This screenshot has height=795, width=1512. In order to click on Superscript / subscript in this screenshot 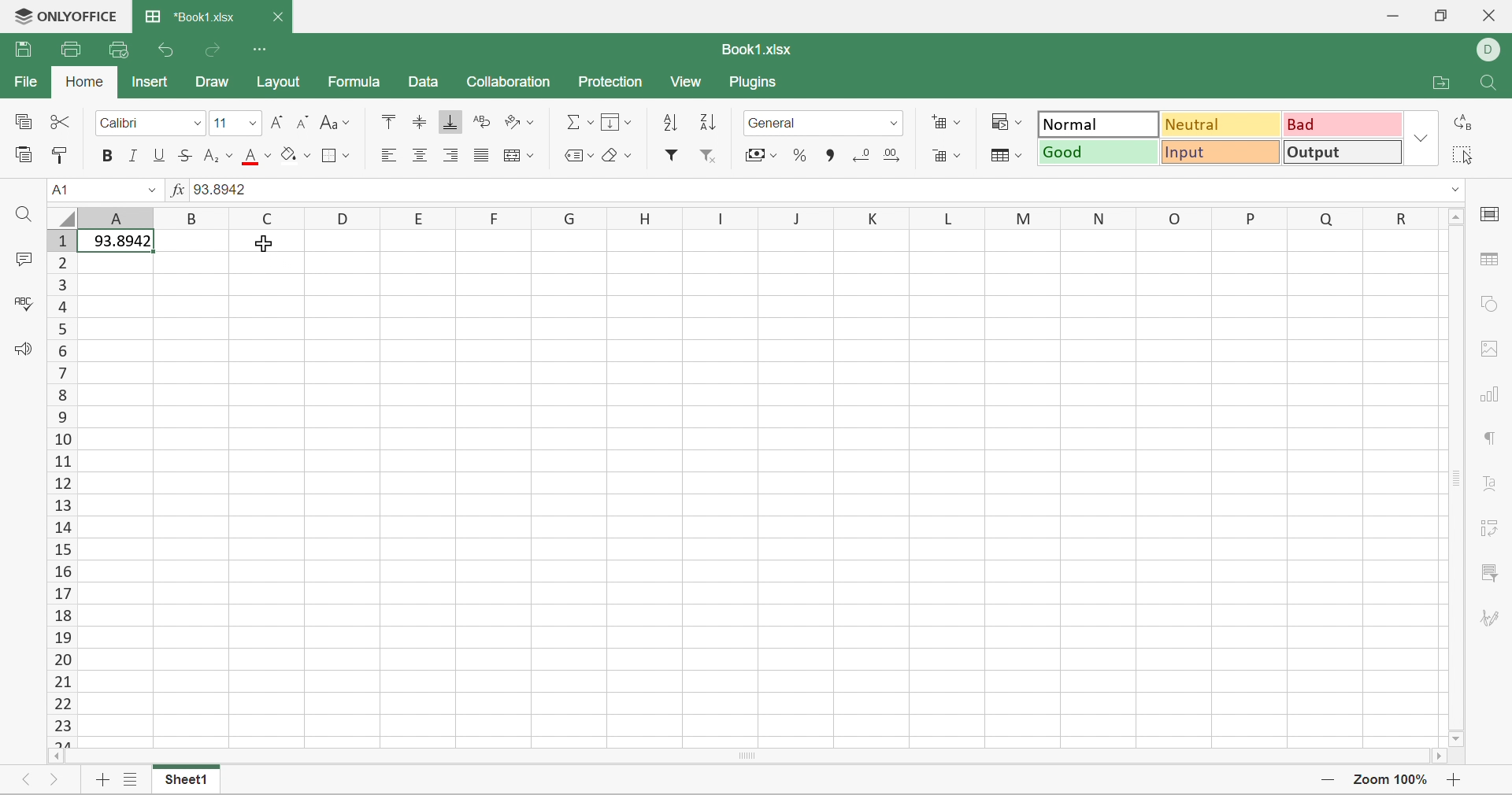, I will do `click(220, 155)`.